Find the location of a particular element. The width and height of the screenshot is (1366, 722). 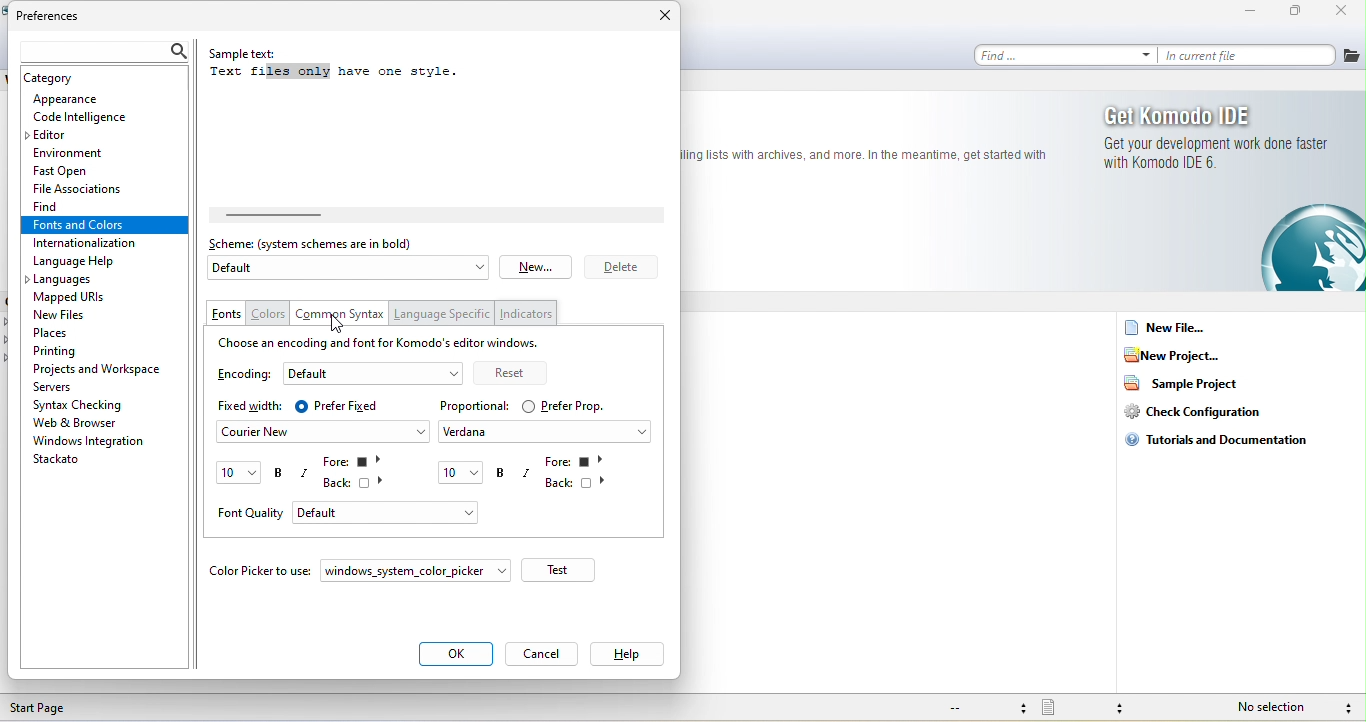

bold is located at coordinates (504, 473).